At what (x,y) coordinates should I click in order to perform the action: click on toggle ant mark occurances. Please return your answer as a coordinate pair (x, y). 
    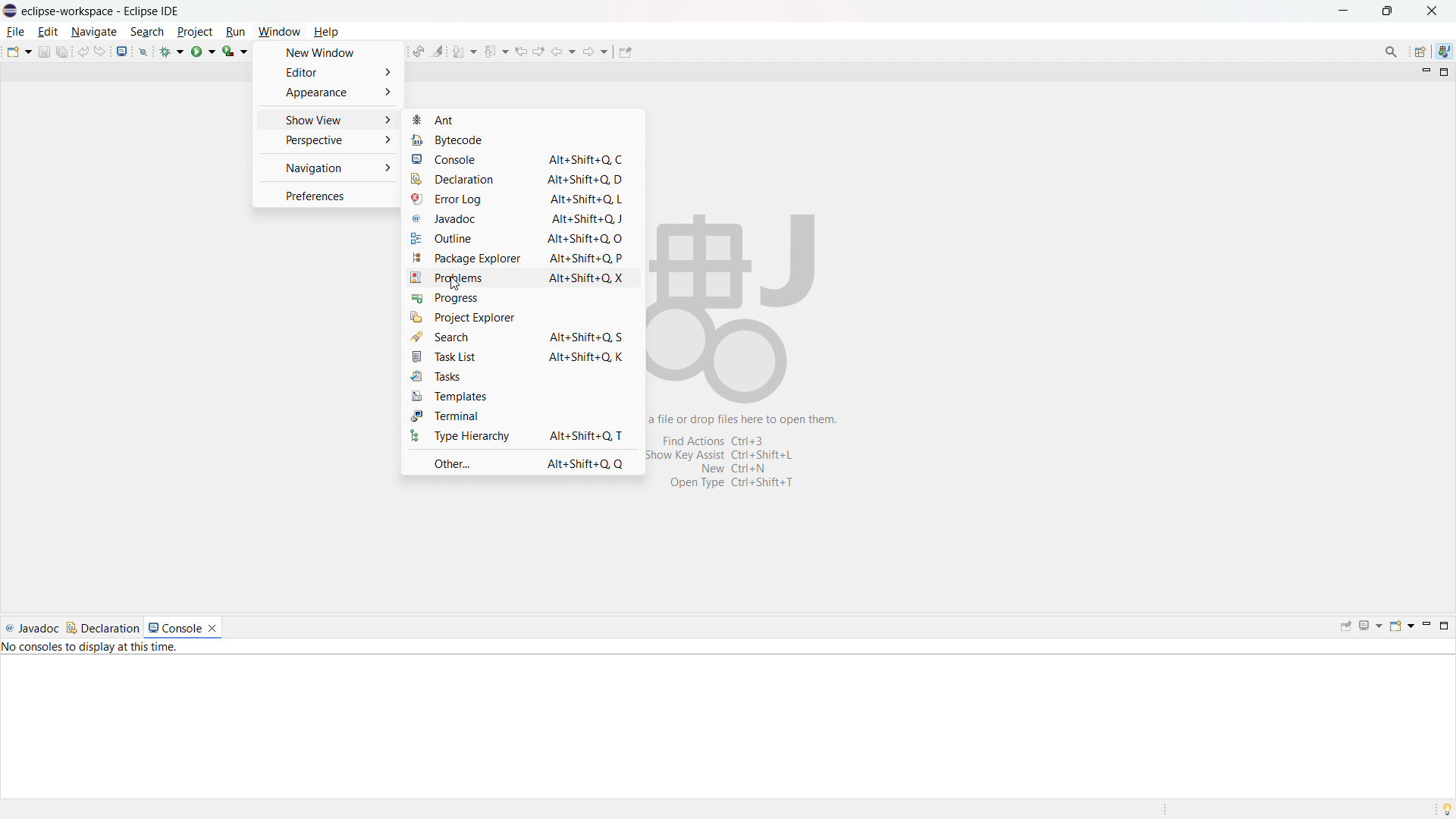
    Looking at the image, I should click on (439, 50).